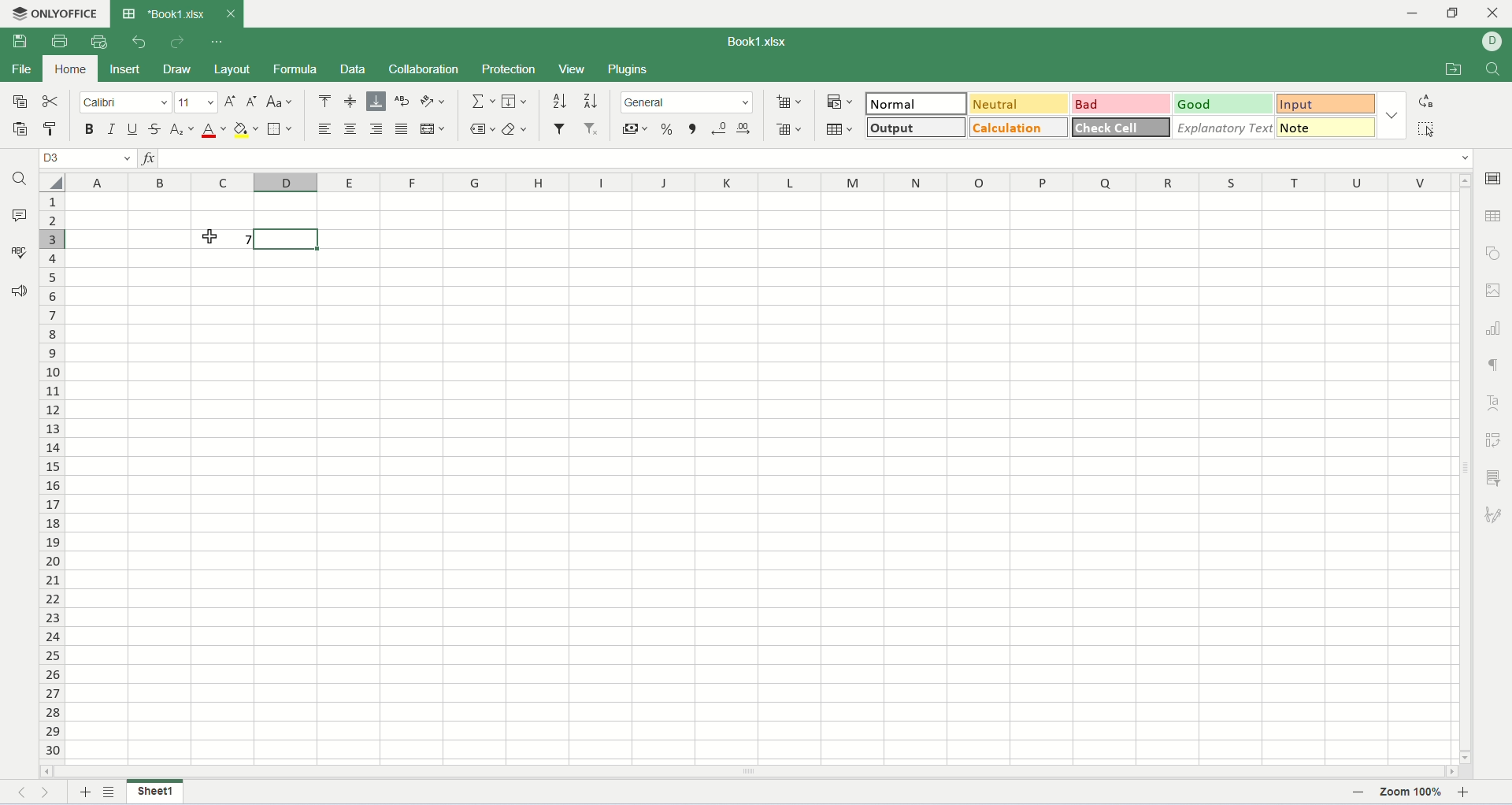 The height and width of the screenshot is (805, 1512). What do you see at coordinates (1222, 128) in the screenshot?
I see `explanatory text` at bounding box center [1222, 128].